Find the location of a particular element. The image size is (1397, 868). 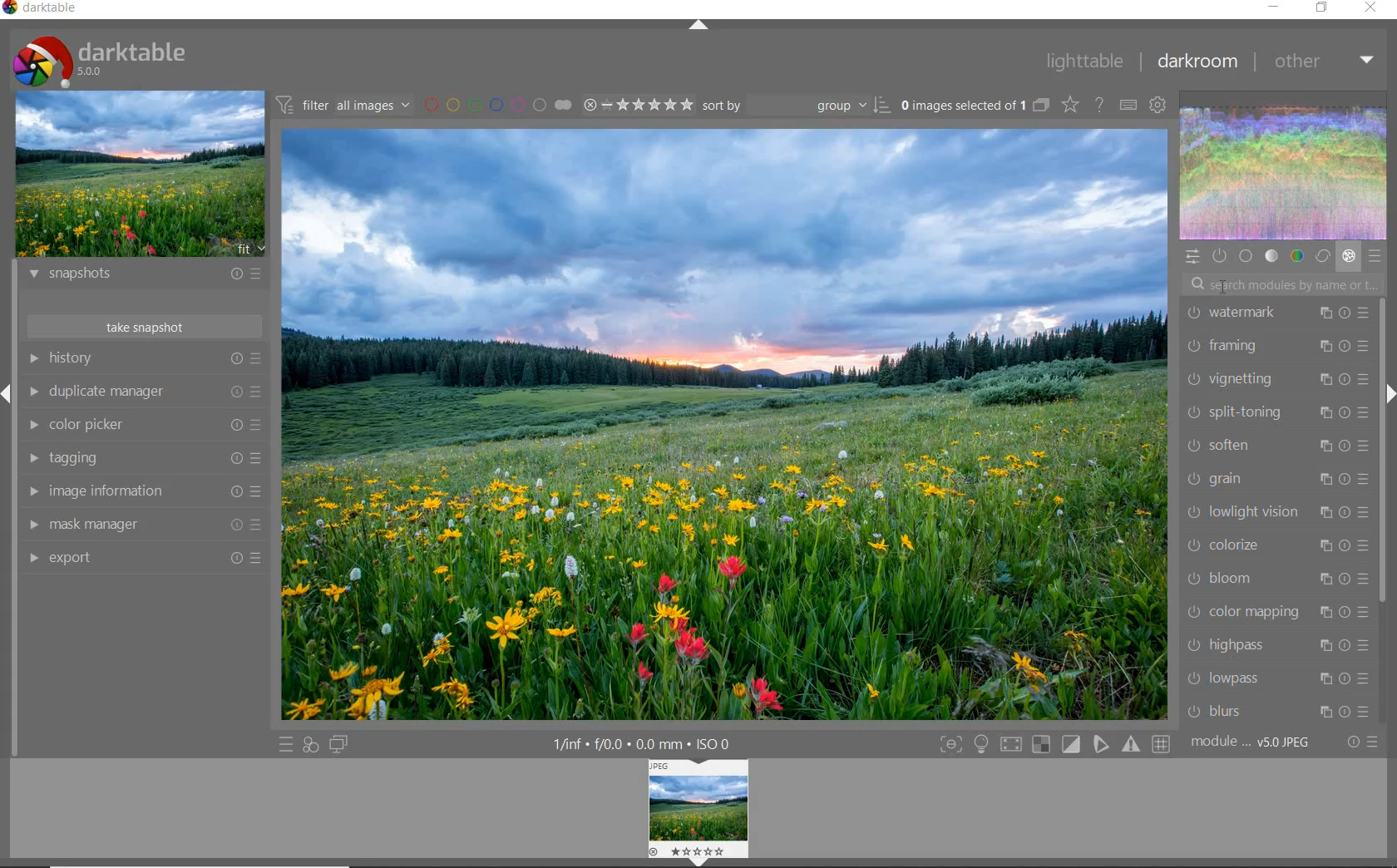

expand/collapse is located at coordinates (702, 28).